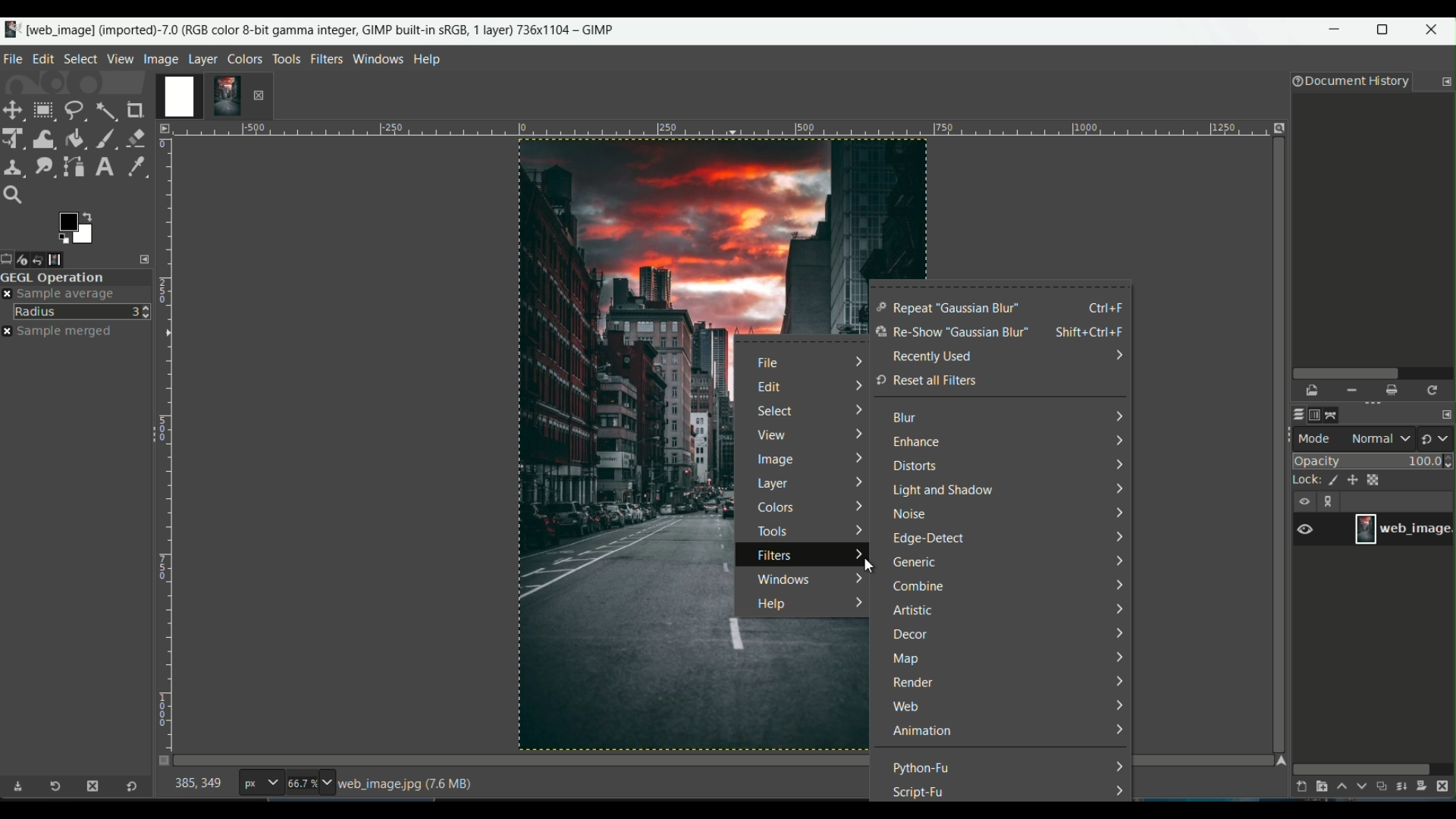 Image resolution: width=1456 pixels, height=819 pixels. I want to click on artistic, so click(912, 612).